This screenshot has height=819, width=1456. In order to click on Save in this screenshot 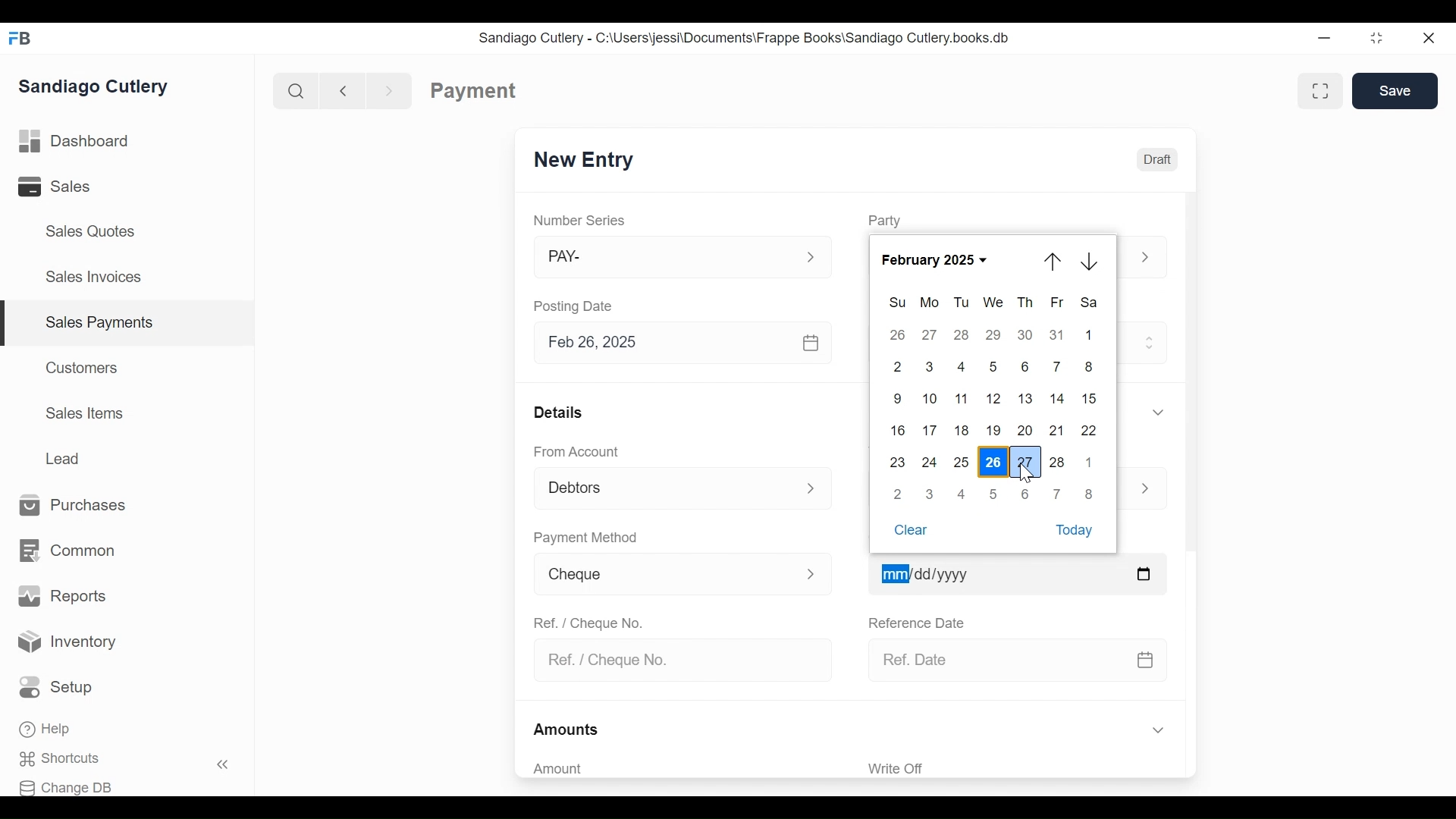, I will do `click(1395, 91)`.